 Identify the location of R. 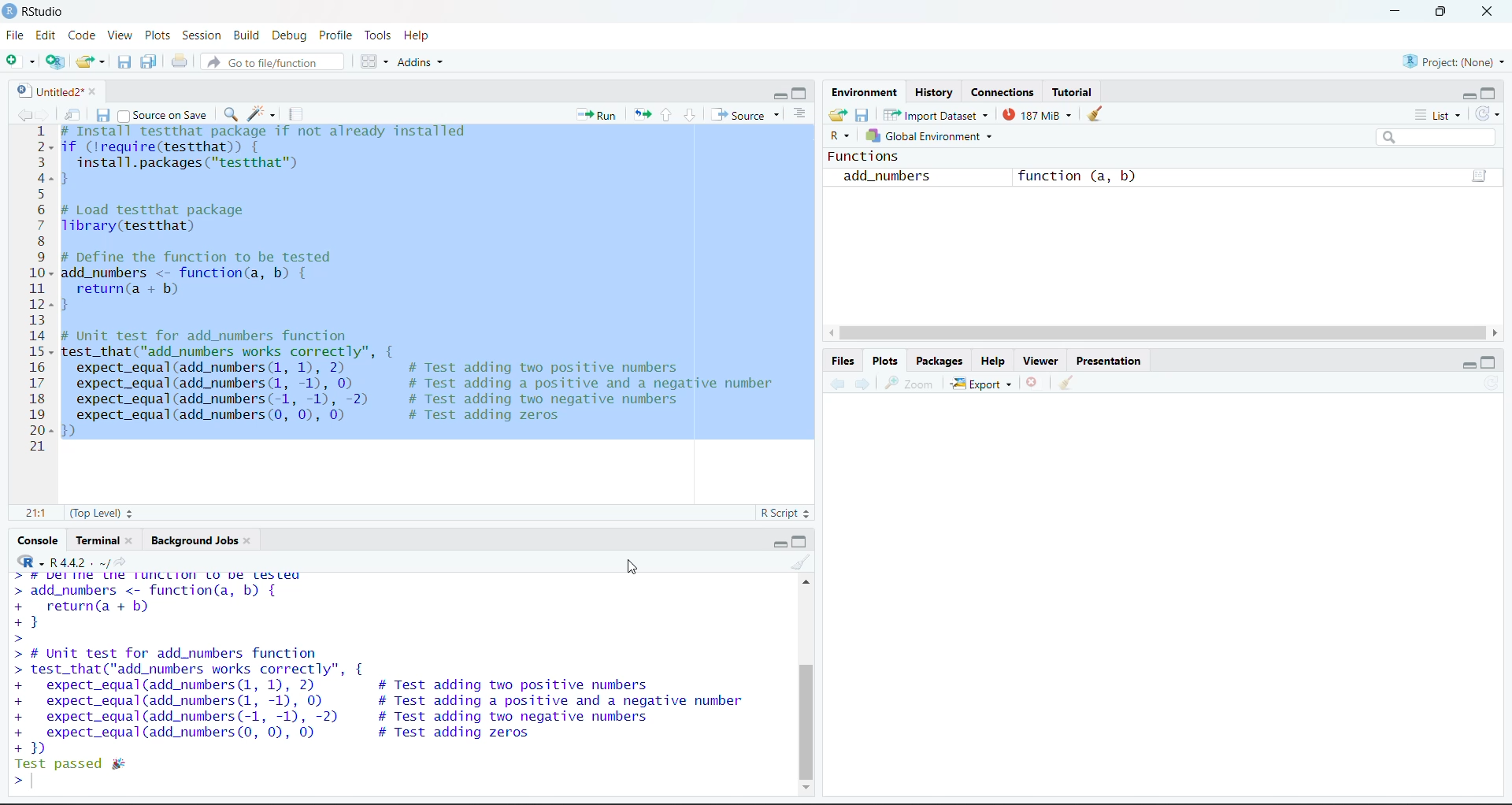
(841, 137).